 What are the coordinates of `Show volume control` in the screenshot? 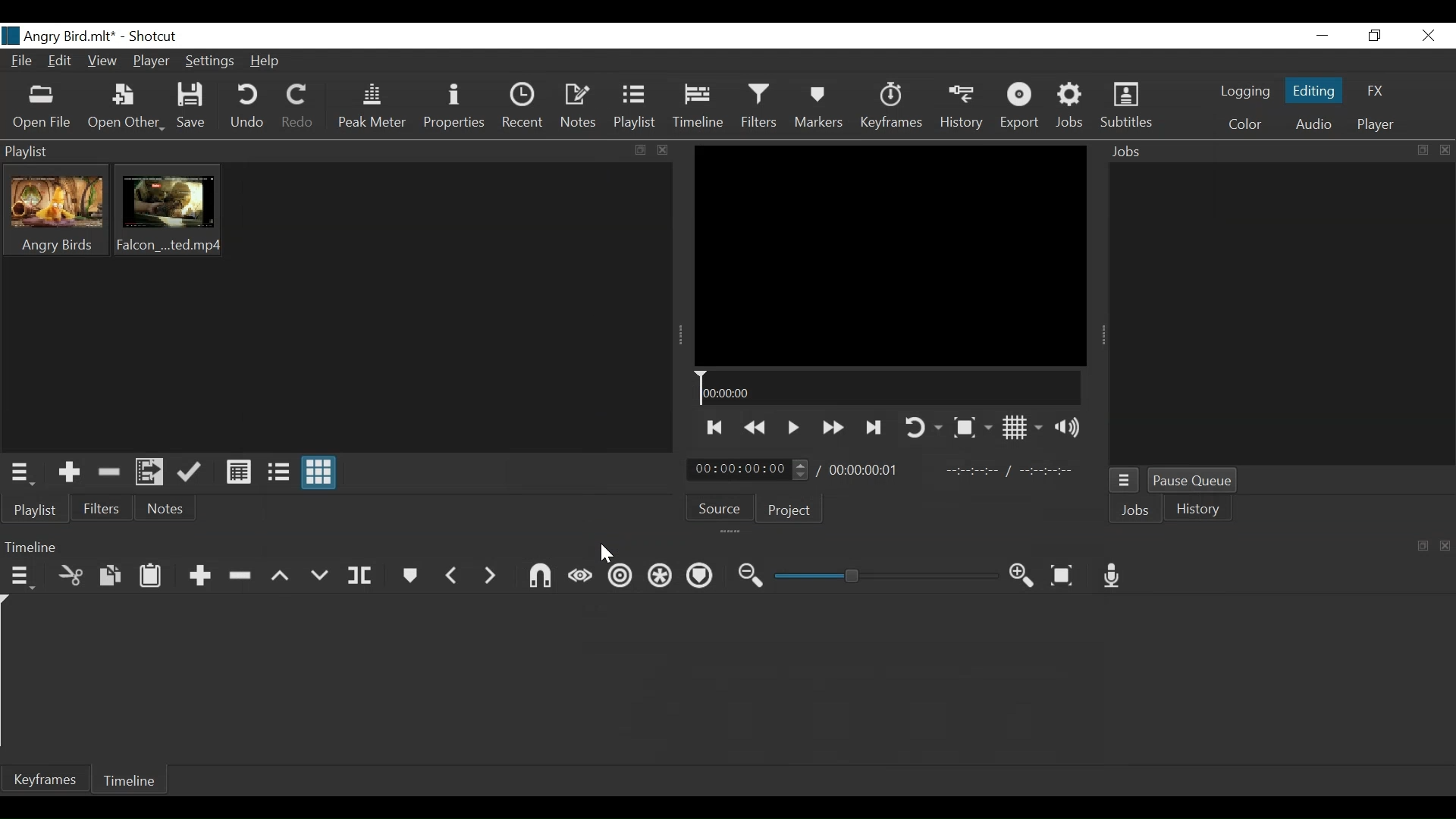 It's located at (1075, 428).